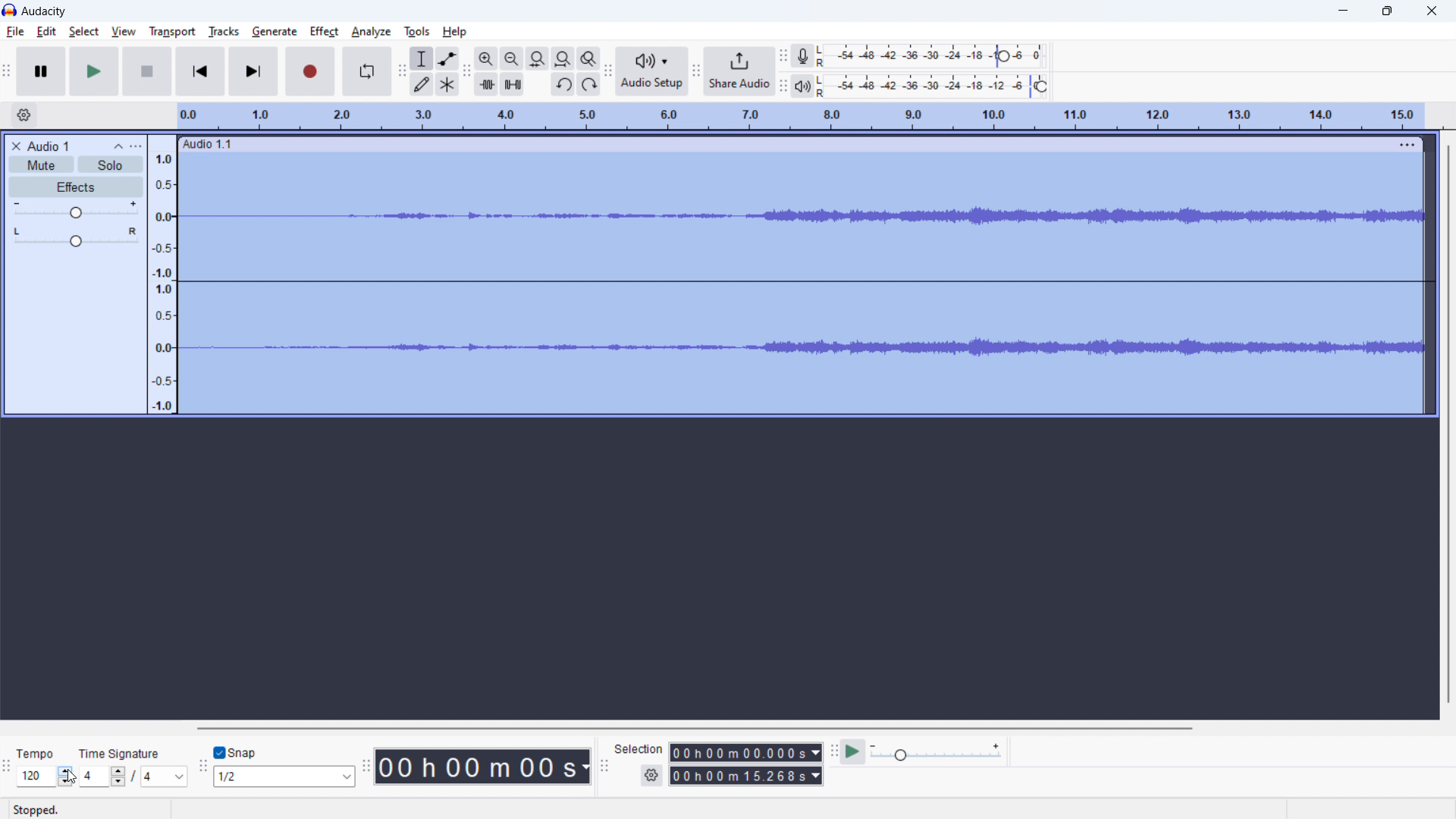 The image size is (1456, 819). Describe the element at coordinates (123, 753) in the screenshot. I see `Time signature` at that location.